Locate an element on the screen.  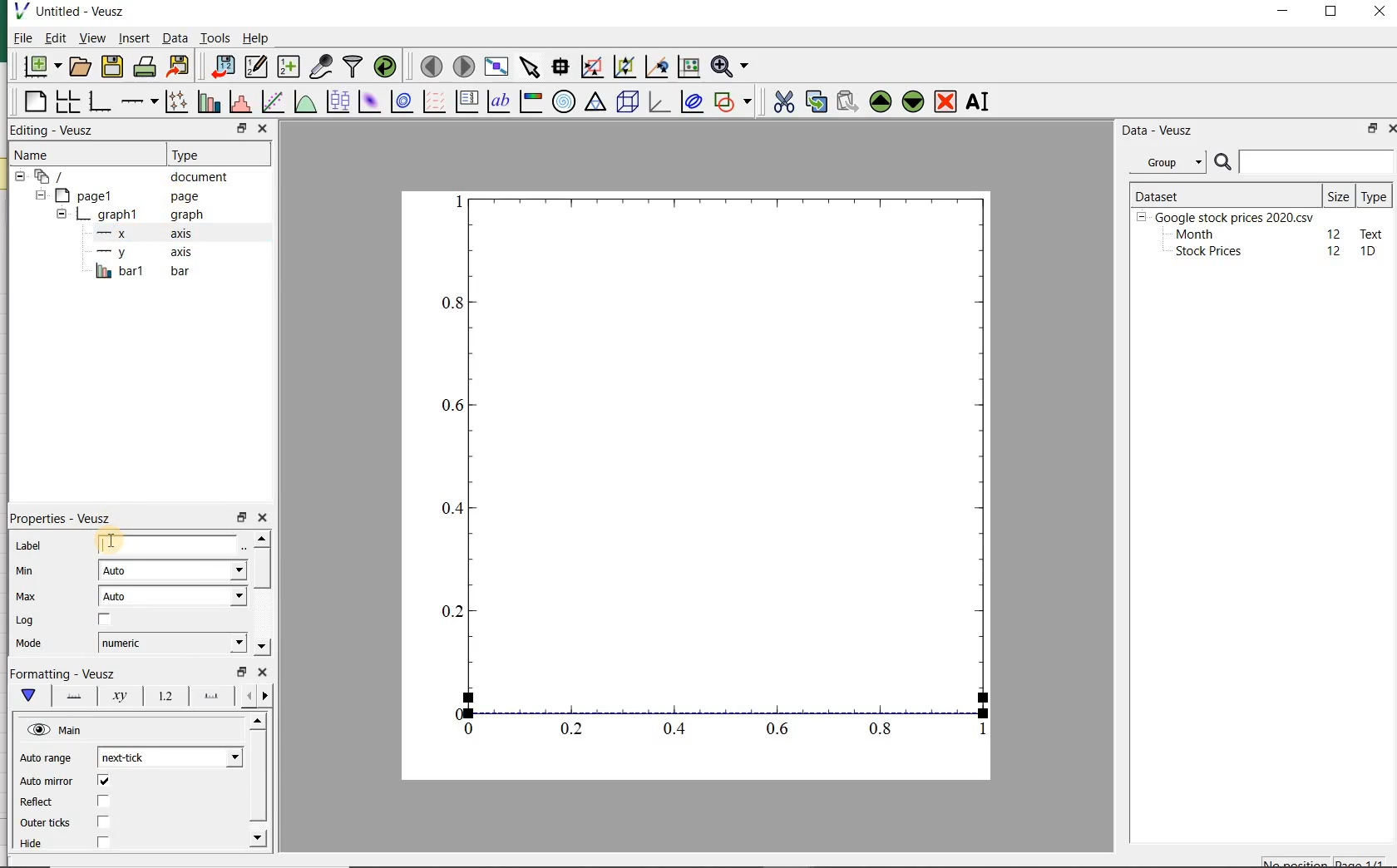
create new datasets is located at coordinates (289, 67).